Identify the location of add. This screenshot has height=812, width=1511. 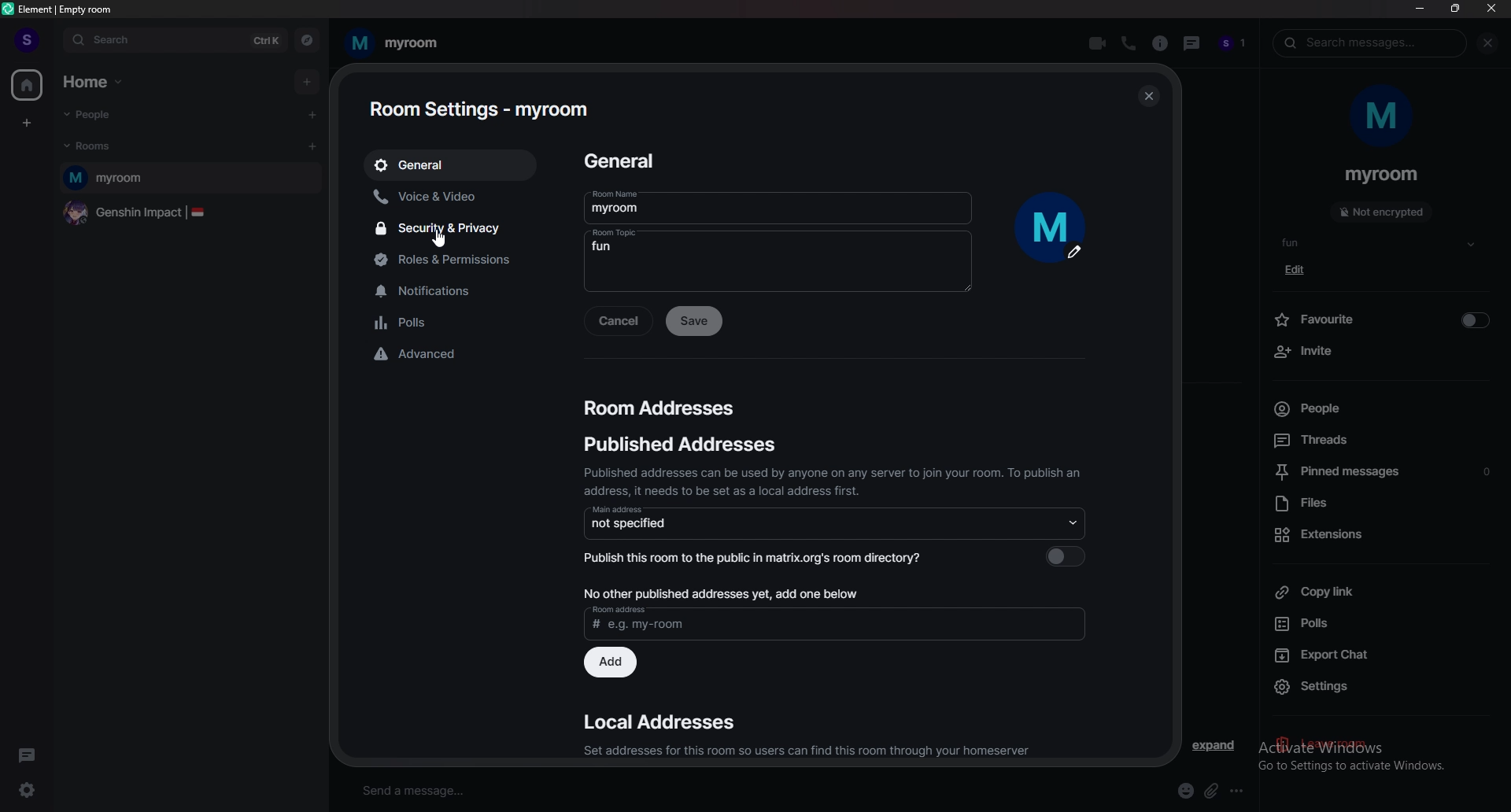
(611, 663).